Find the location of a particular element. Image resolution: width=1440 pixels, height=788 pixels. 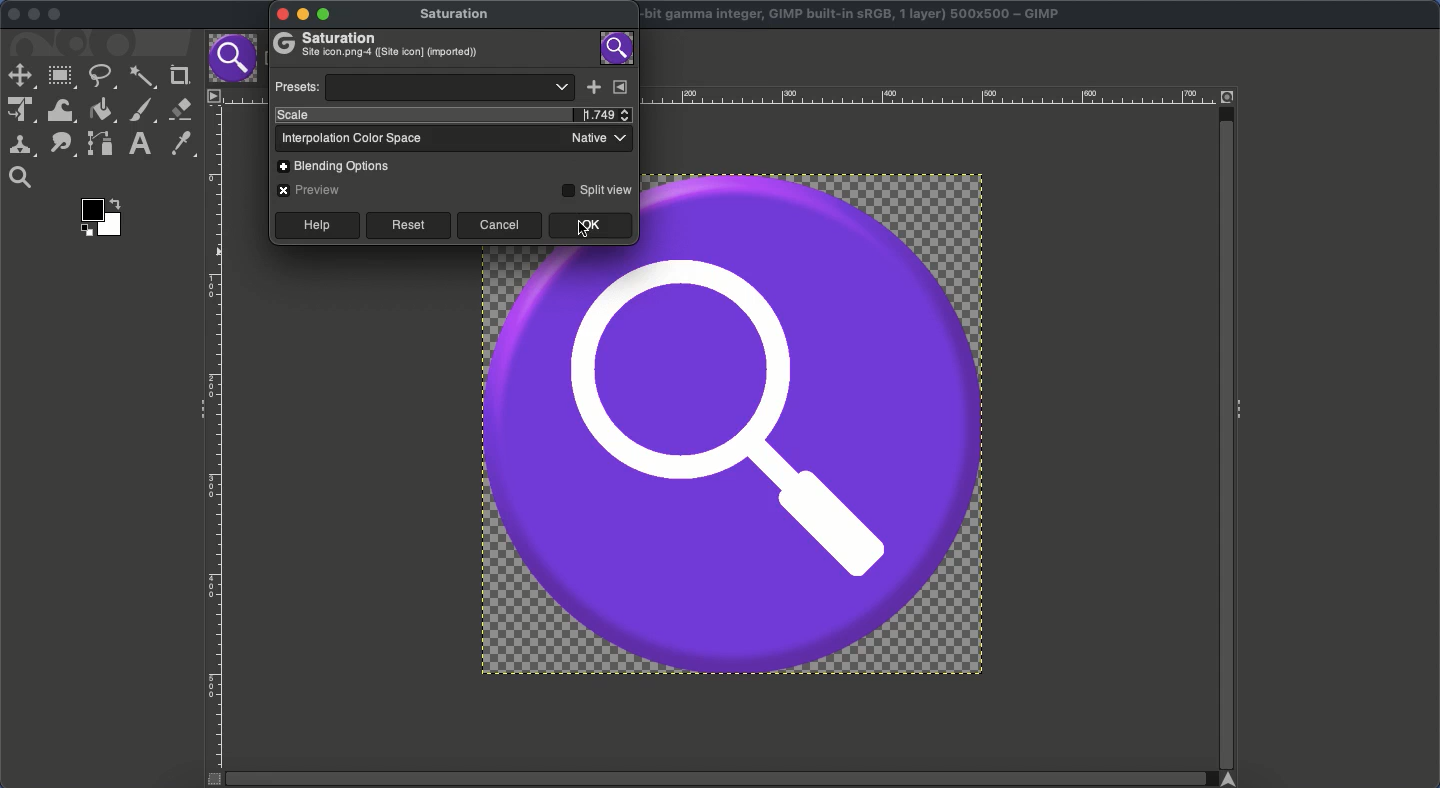

Minimize is located at coordinates (33, 15).